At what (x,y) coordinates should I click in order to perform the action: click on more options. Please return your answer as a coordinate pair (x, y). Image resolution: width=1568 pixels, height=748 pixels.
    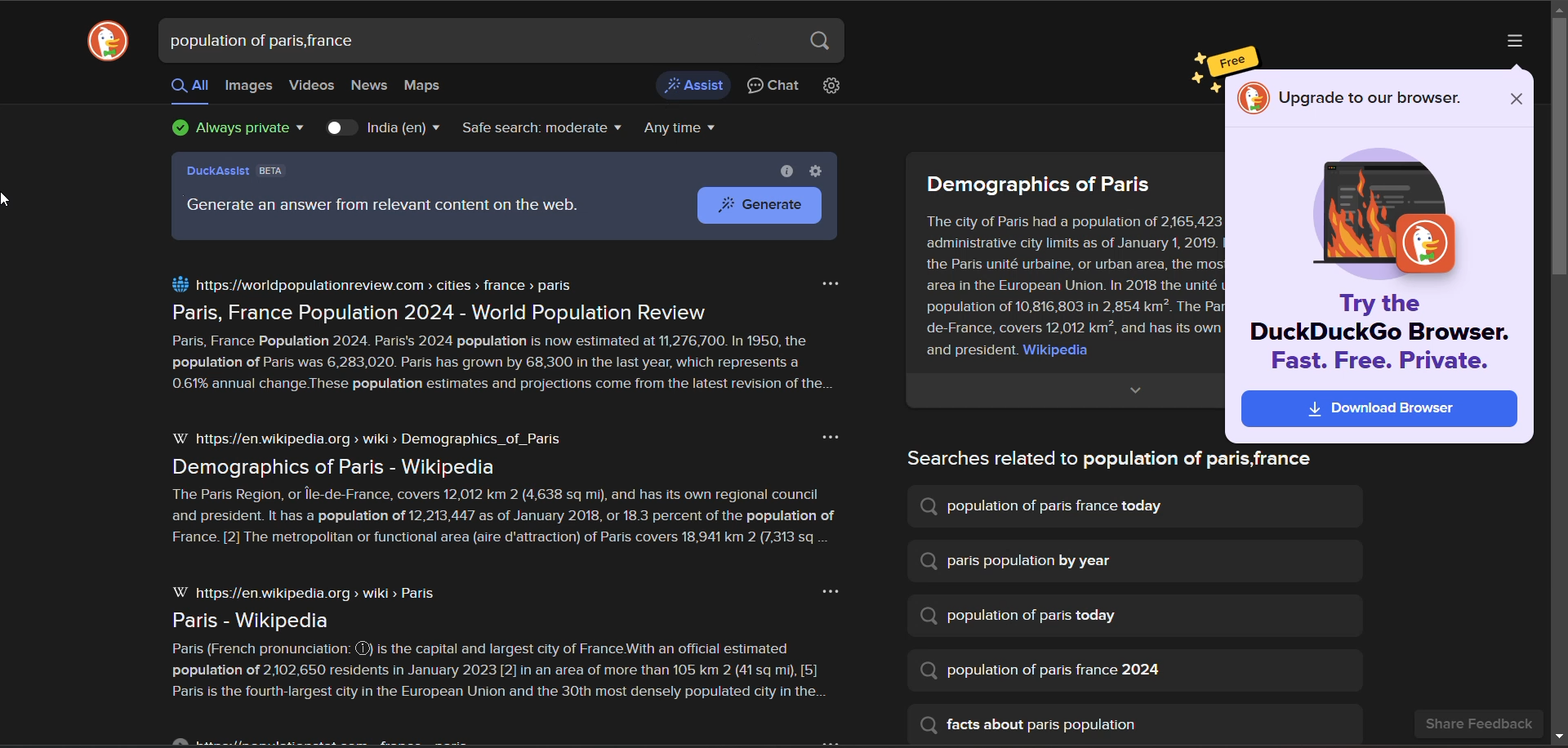
    Looking at the image, I should click on (1518, 43).